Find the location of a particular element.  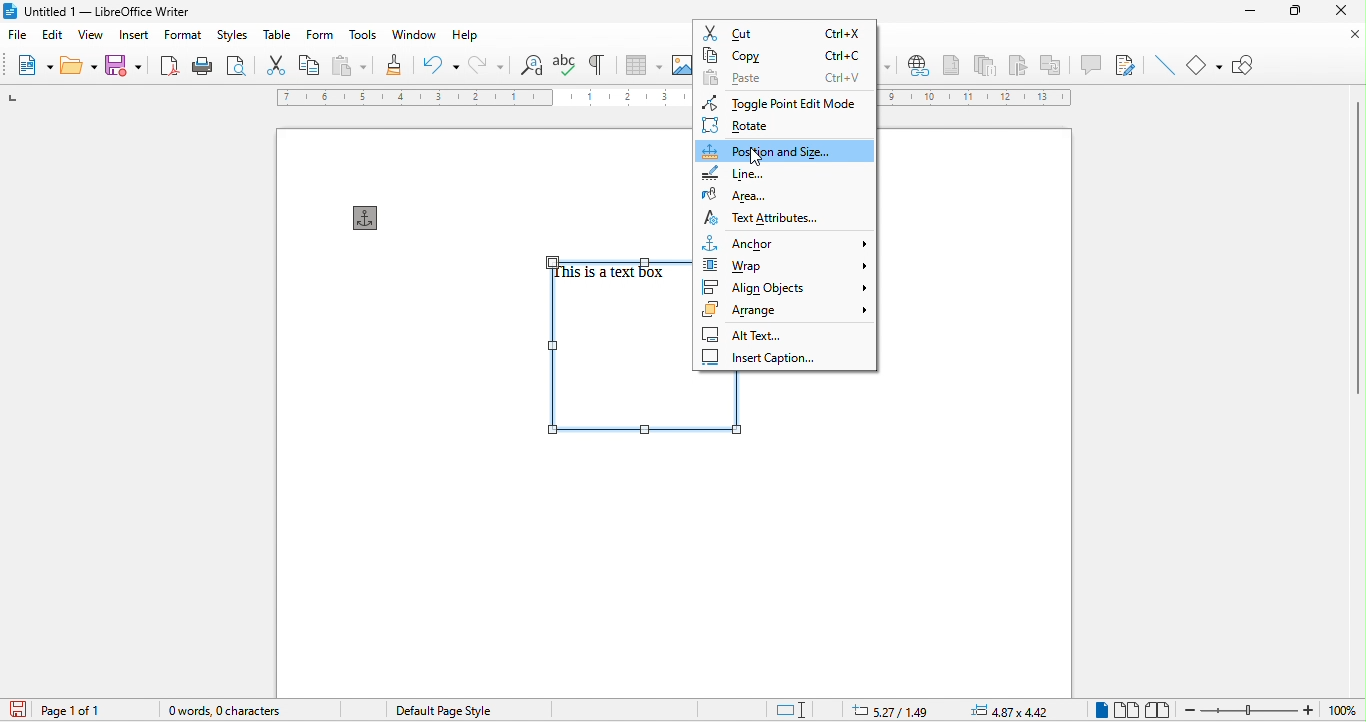

alt text is located at coordinates (745, 333).